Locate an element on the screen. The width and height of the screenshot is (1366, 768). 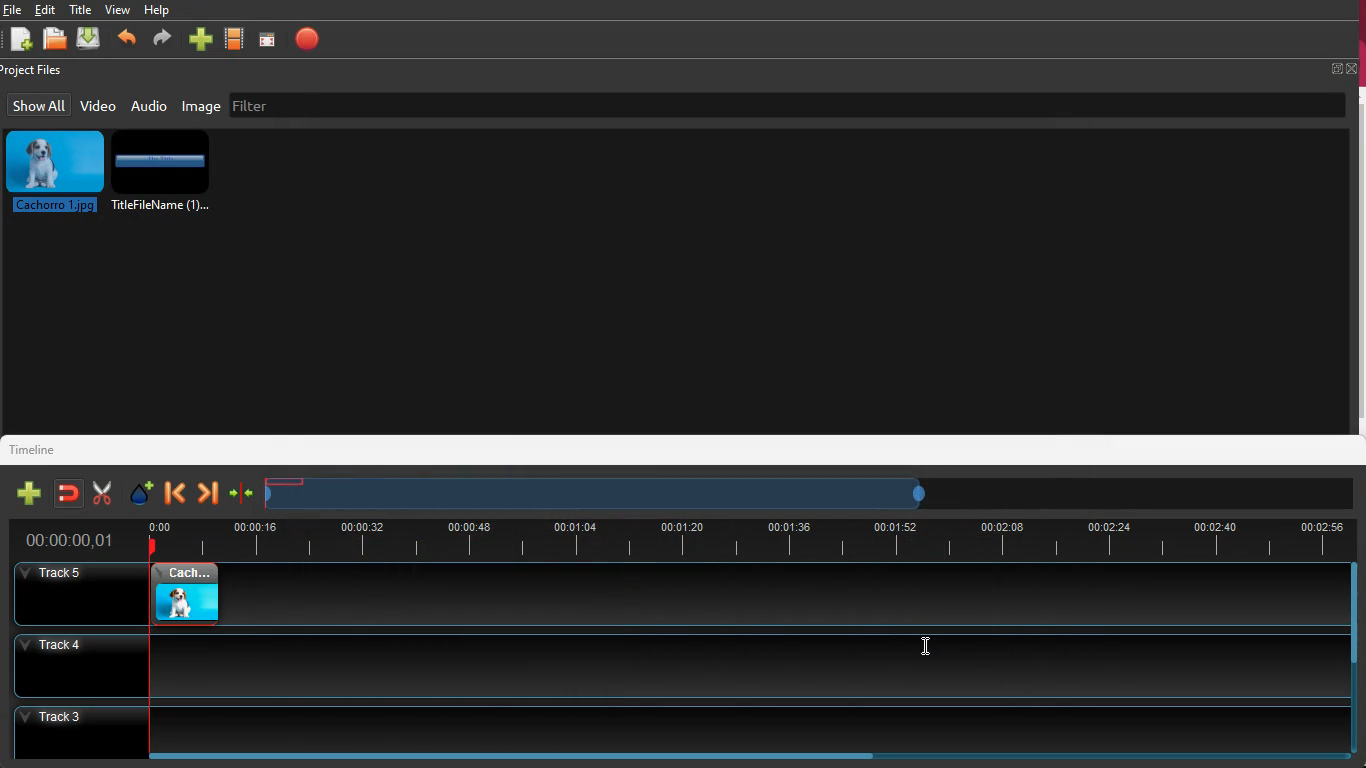
focus is located at coordinates (268, 39).